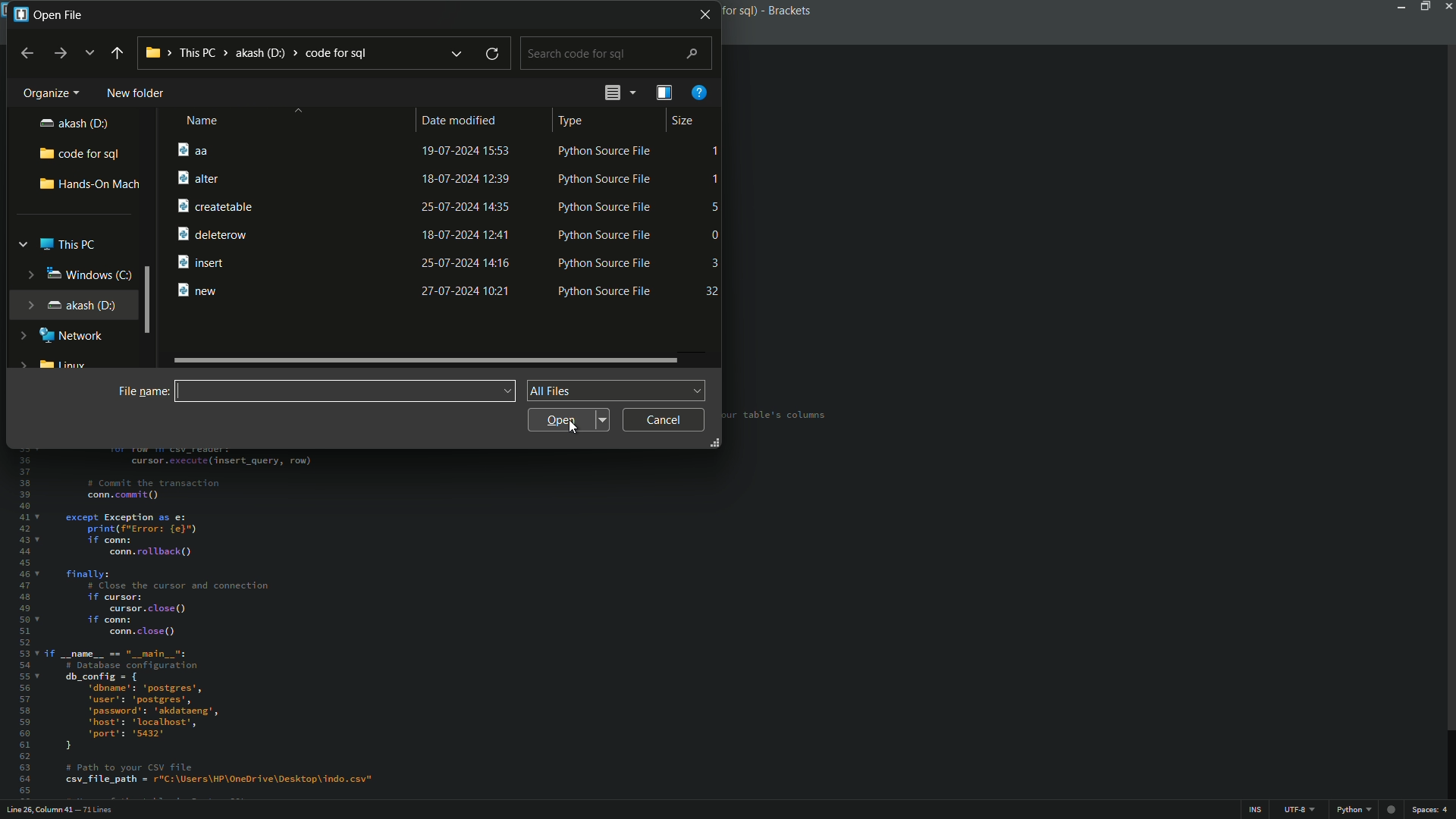 The width and height of the screenshot is (1456, 819). I want to click on this pc, so click(59, 243).